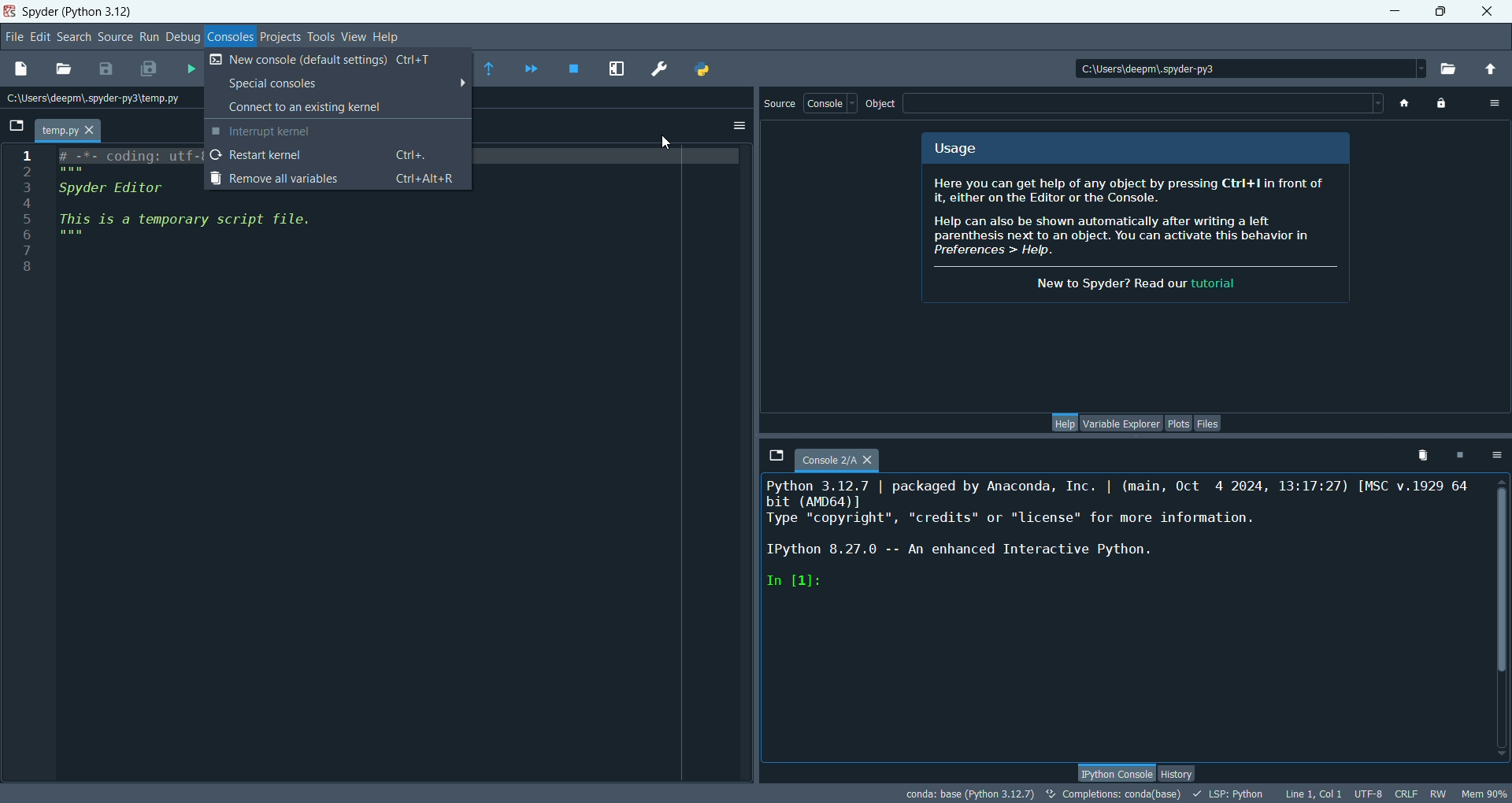  Describe the element at coordinates (1495, 102) in the screenshot. I see `options` at that location.